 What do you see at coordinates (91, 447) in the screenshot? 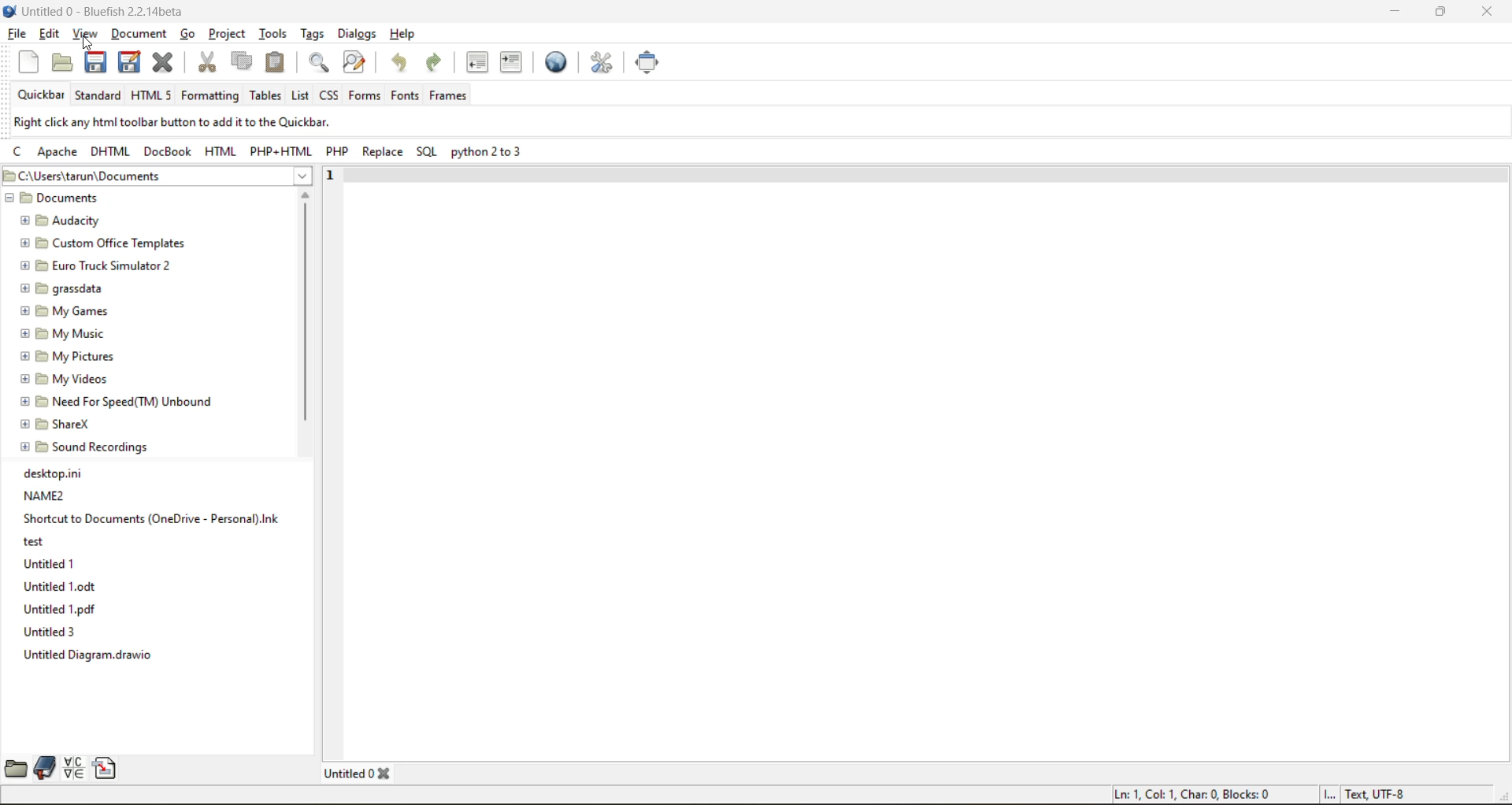
I see `Sound Recordings` at bounding box center [91, 447].